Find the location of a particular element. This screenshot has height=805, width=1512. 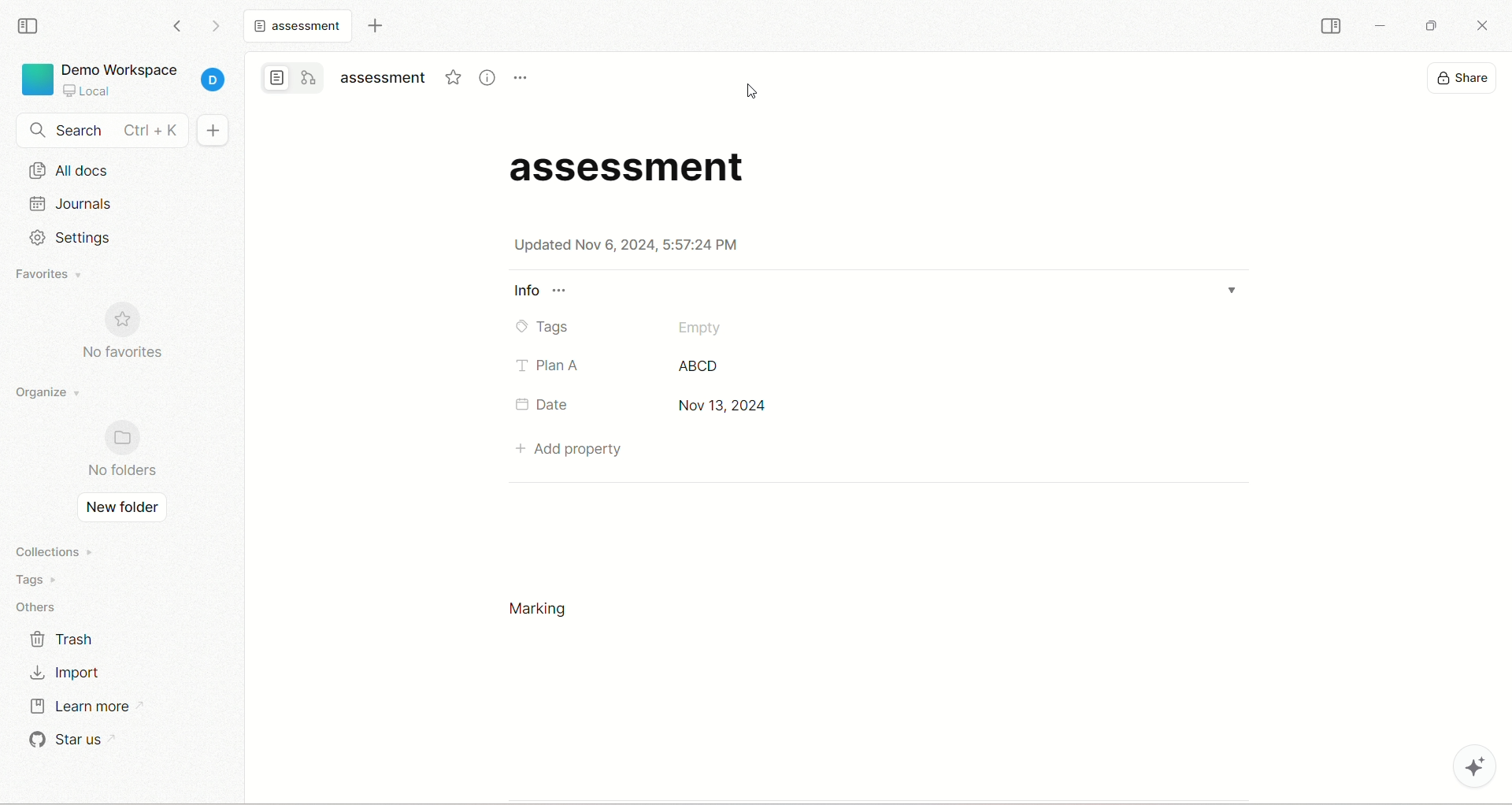

add property is located at coordinates (569, 446).